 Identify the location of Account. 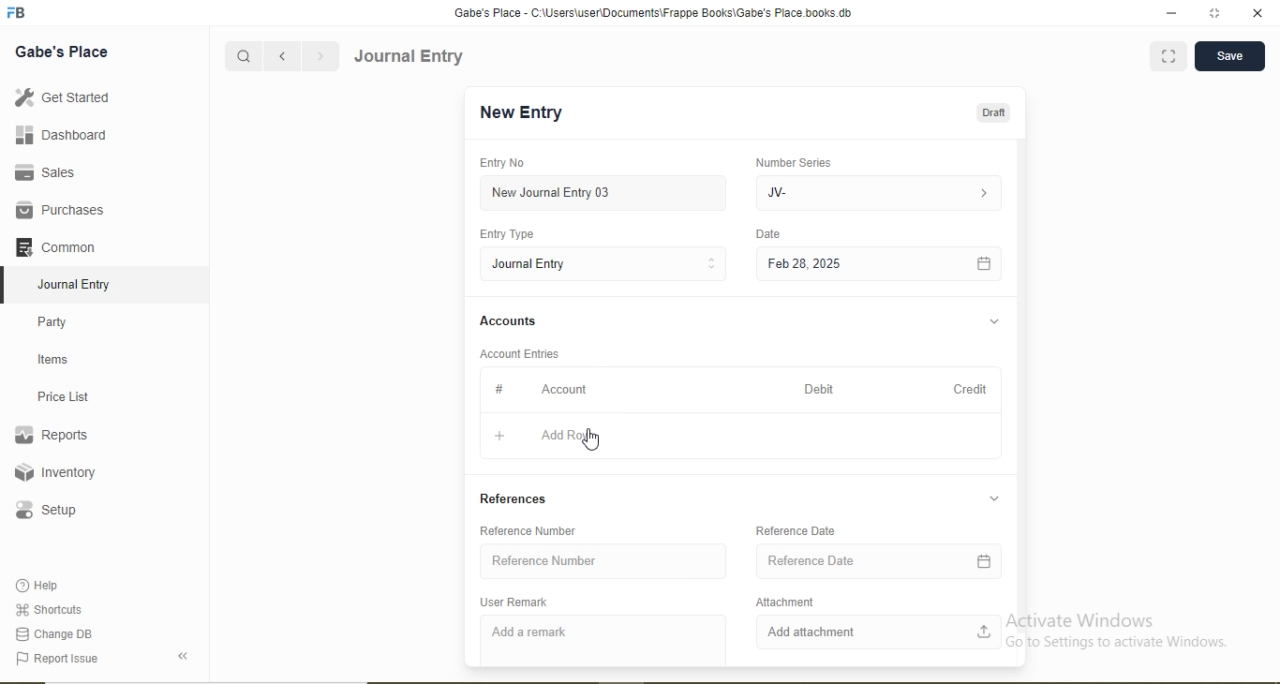
(564, 390).